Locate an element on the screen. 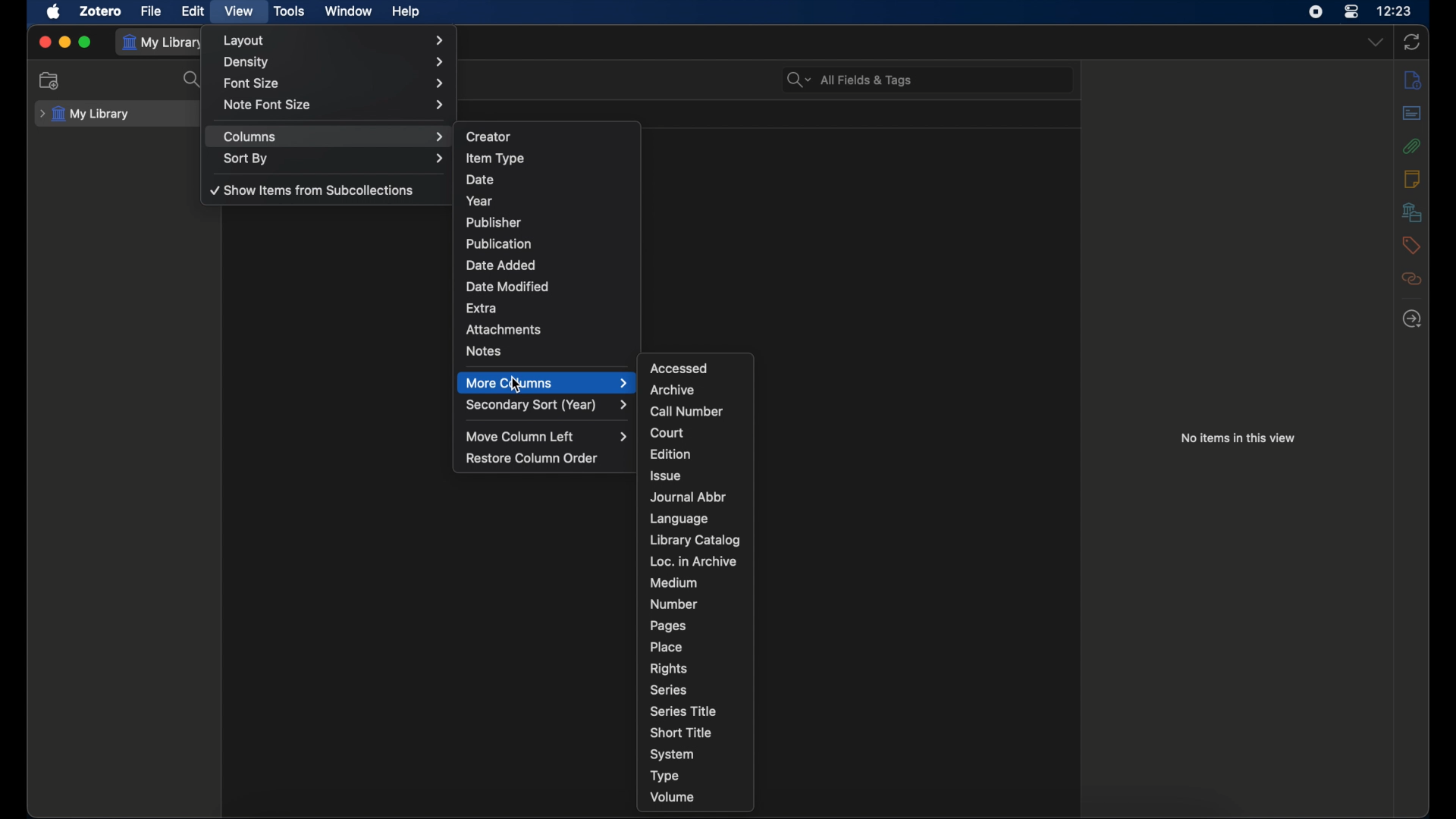 The height and width of the screenshot is (819, 1456). window is located at coordinates (350, 11).